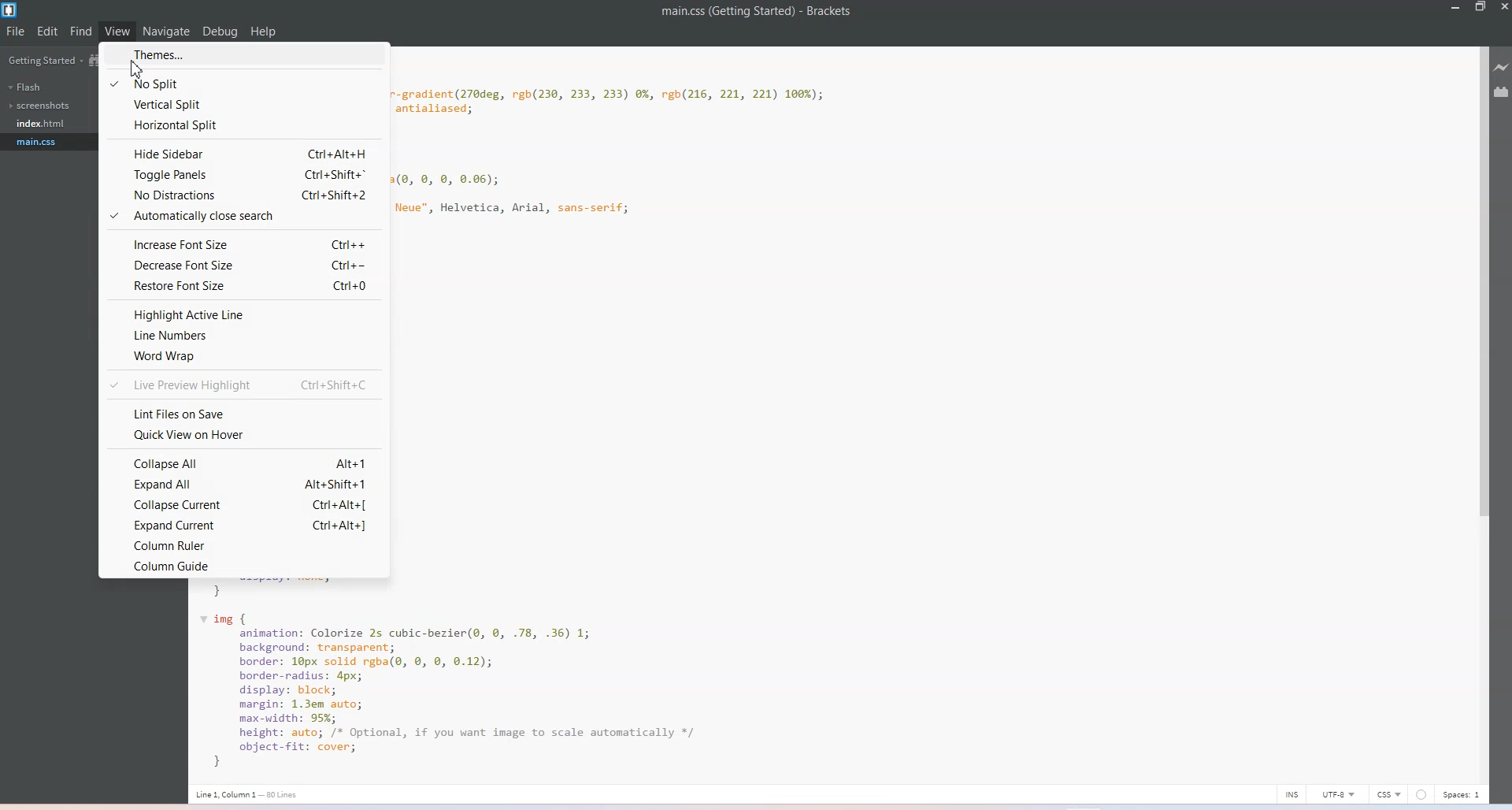  What do you see at coordinates (244, 355) in the screenshot?
I see `Word wrap` at bounding box center [244, 355].